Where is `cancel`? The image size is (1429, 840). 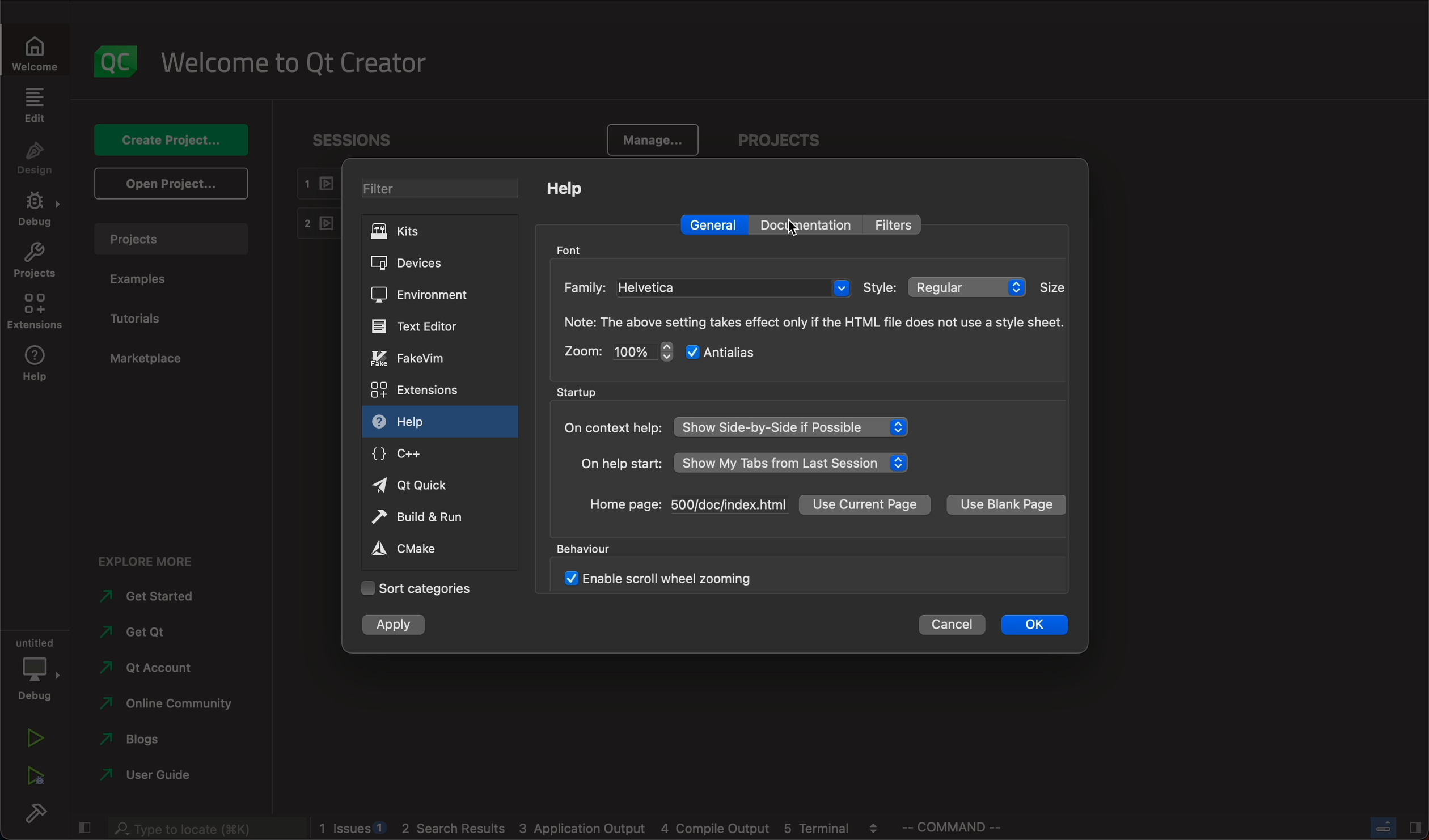
cancel is located at coordinates (938, 624).